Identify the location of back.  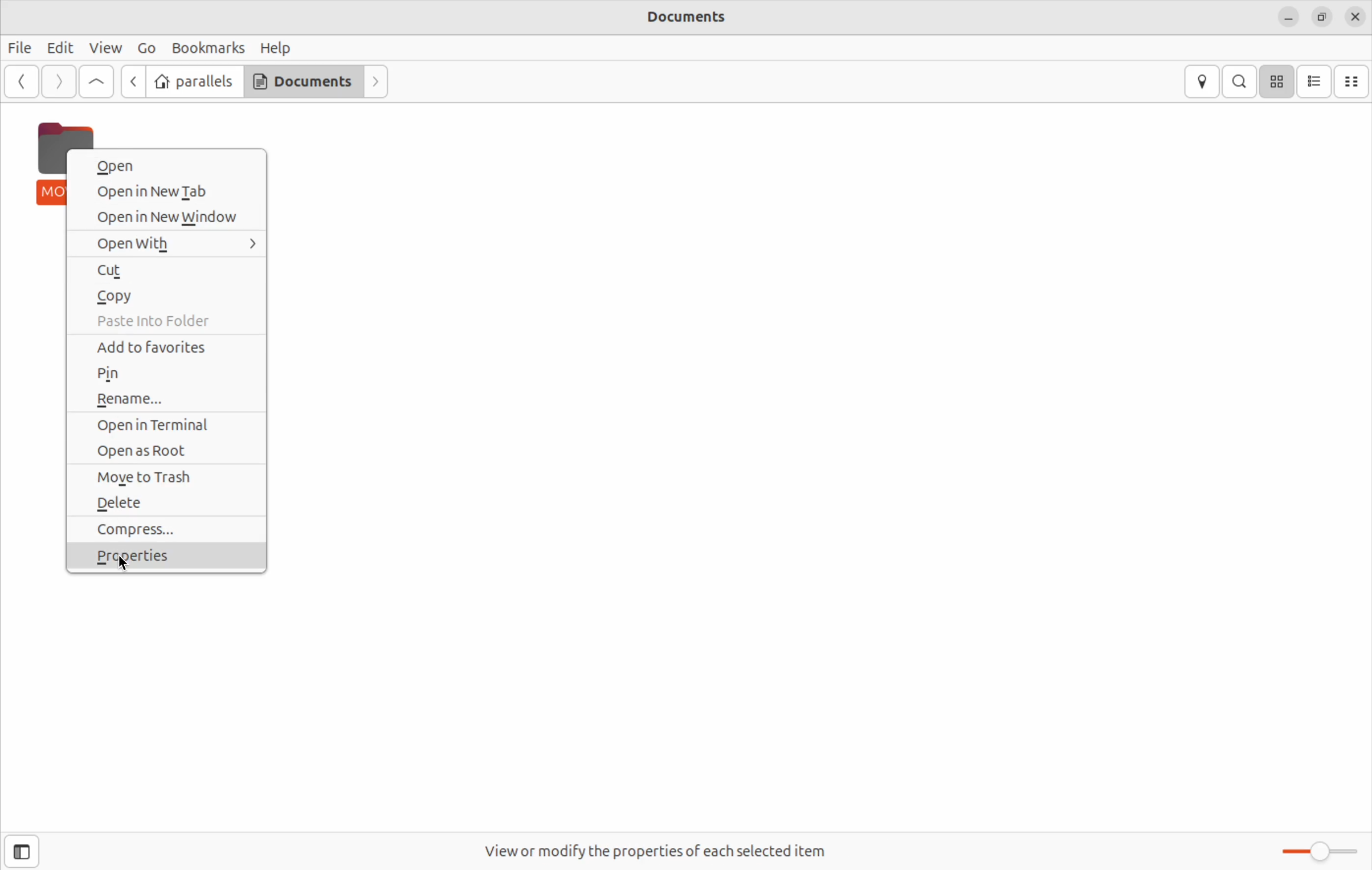
(20, 81).